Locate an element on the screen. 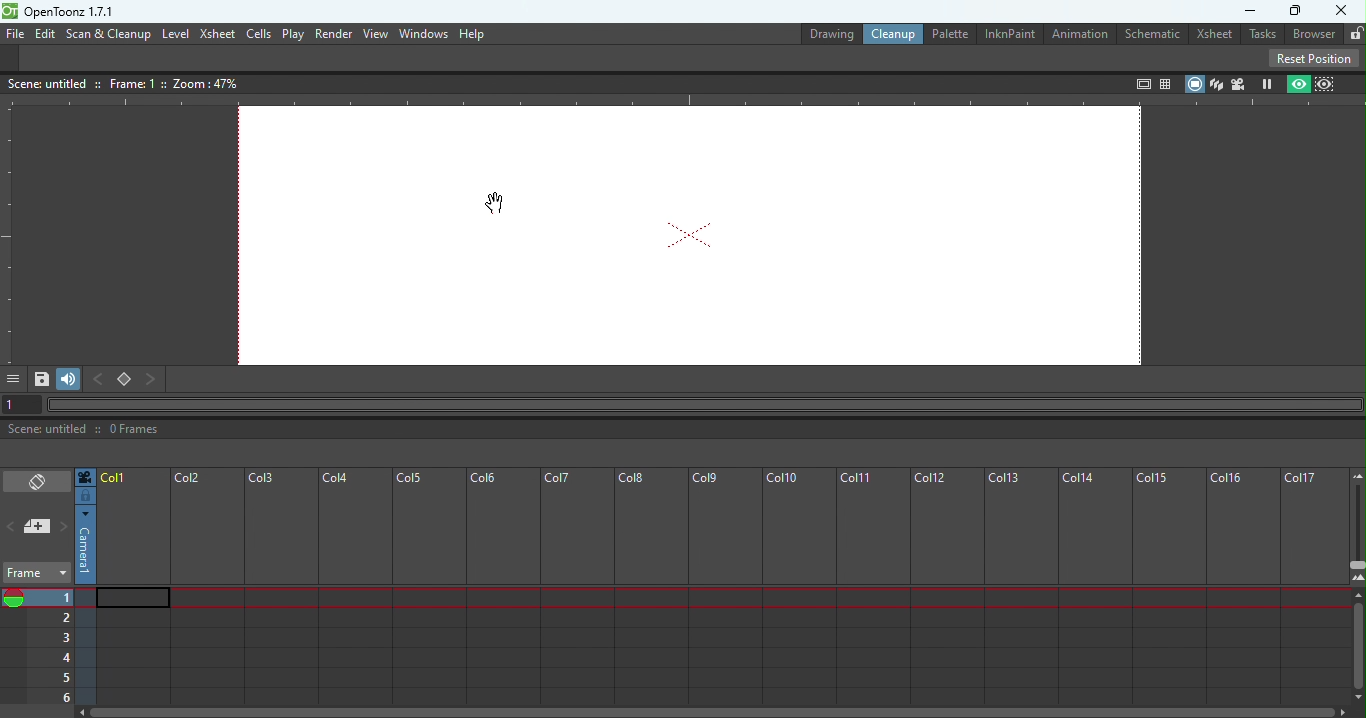 The height and width of the screenshot is (718, 1366). Current frames is located at coordinates (38, 645).